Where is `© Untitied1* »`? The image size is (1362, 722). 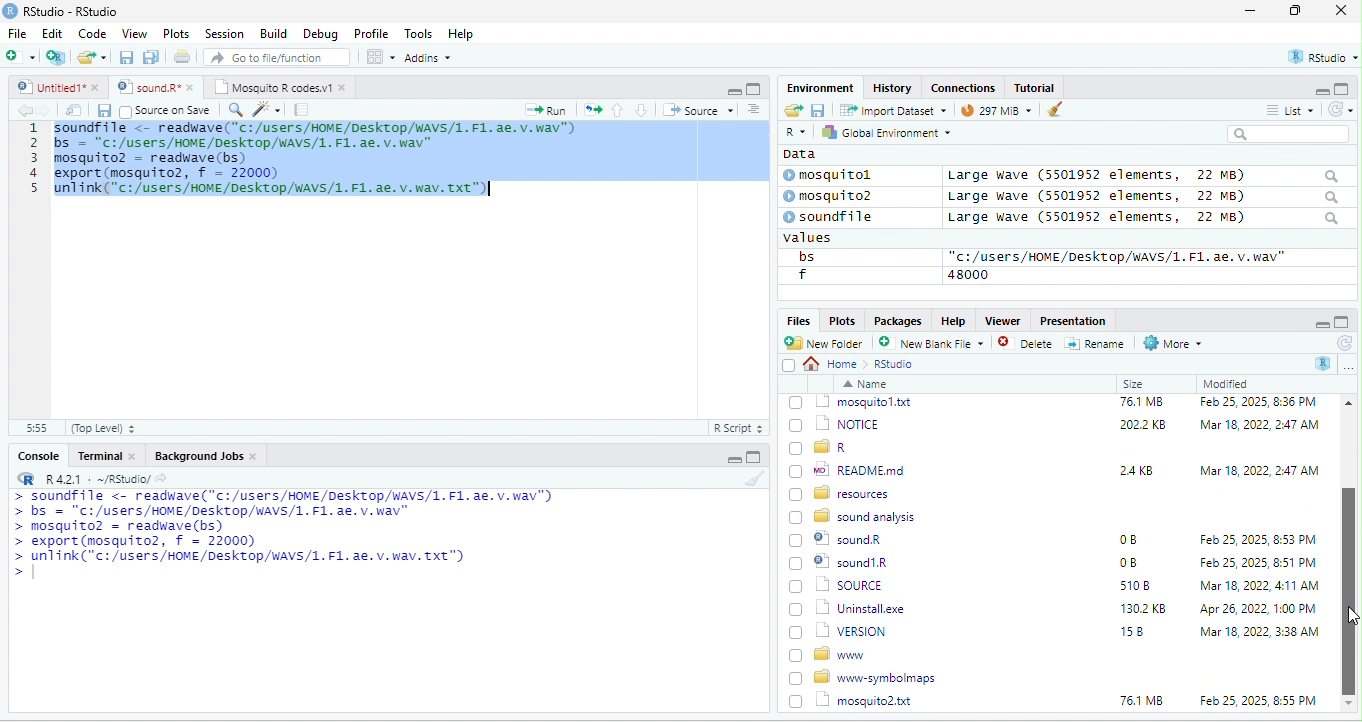
© Untitied1* » is located at coordinates (54, 87).